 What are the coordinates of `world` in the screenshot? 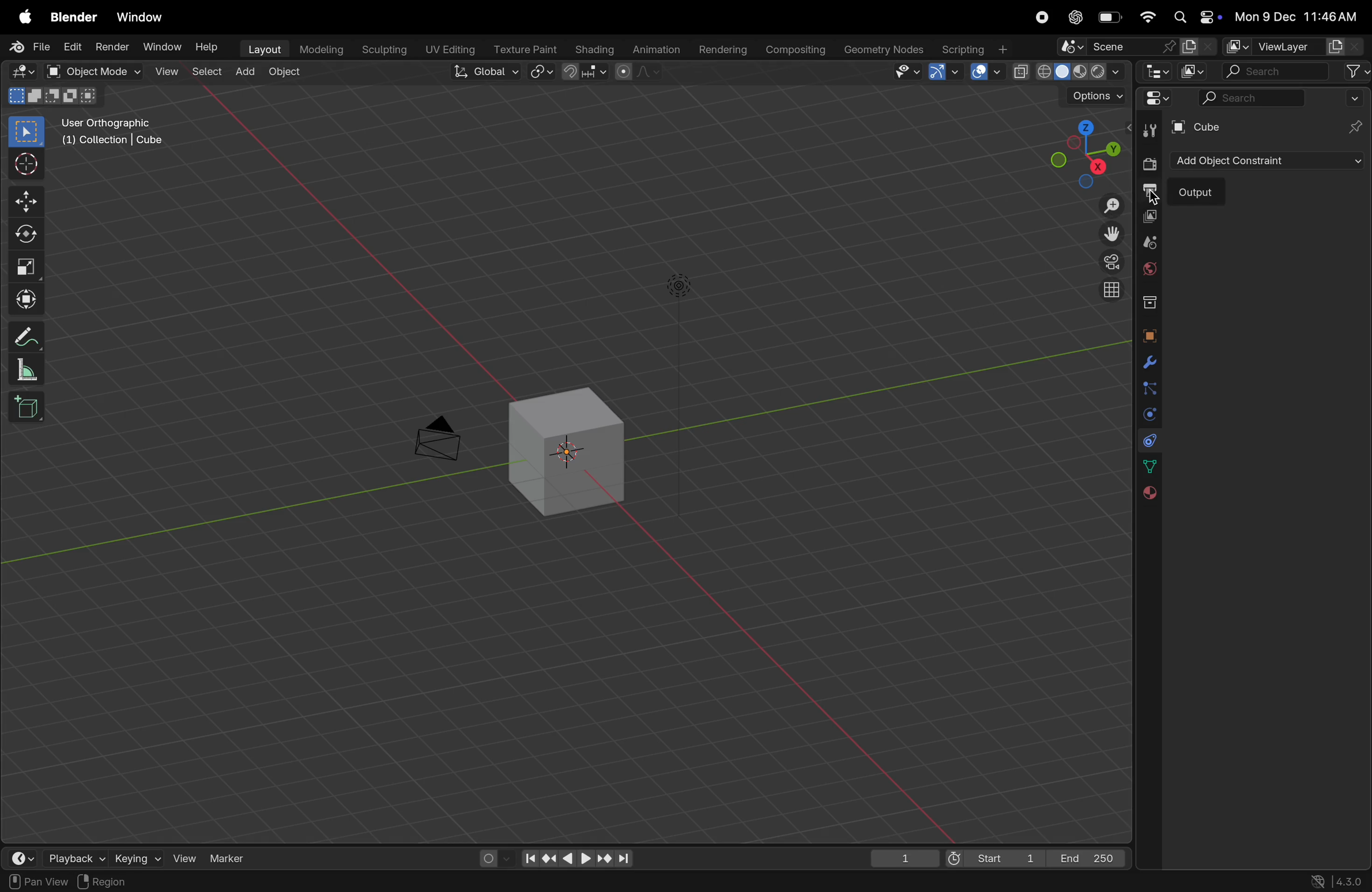 It's located at (1149, 271).